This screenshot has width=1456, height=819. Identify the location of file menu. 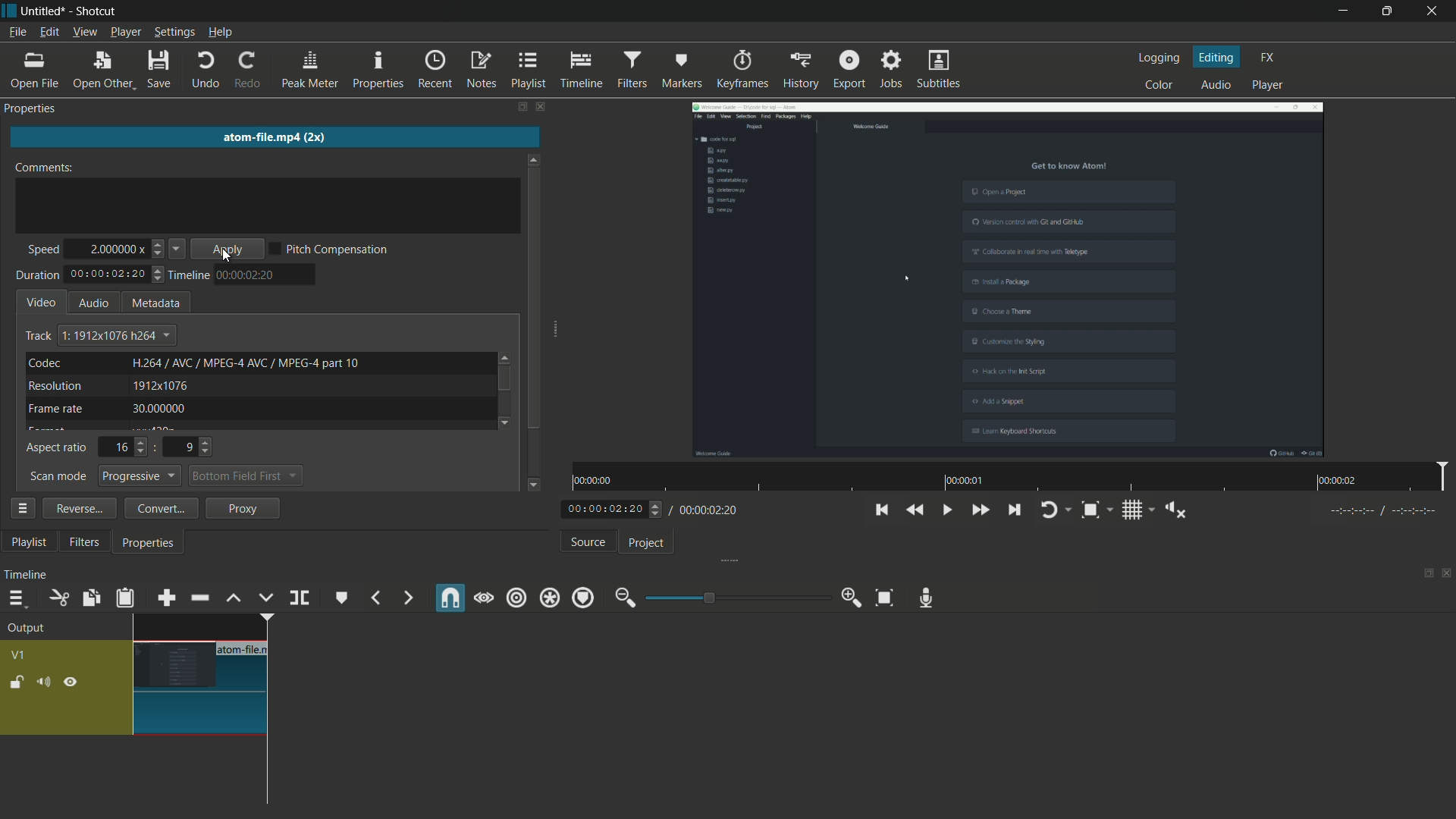
(18, 33).